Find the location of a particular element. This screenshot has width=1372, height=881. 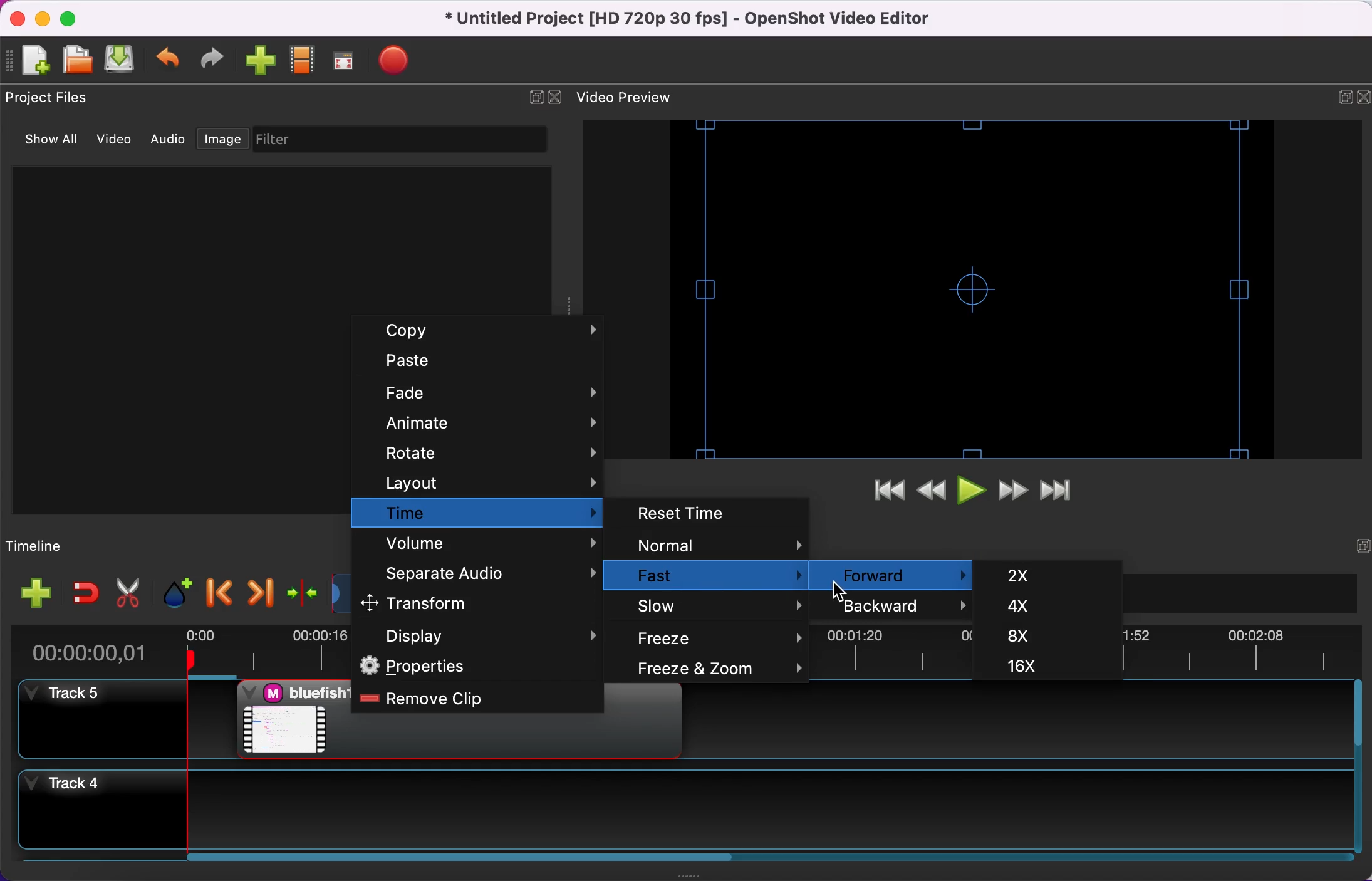

properties is located at coordinates (479, 667).